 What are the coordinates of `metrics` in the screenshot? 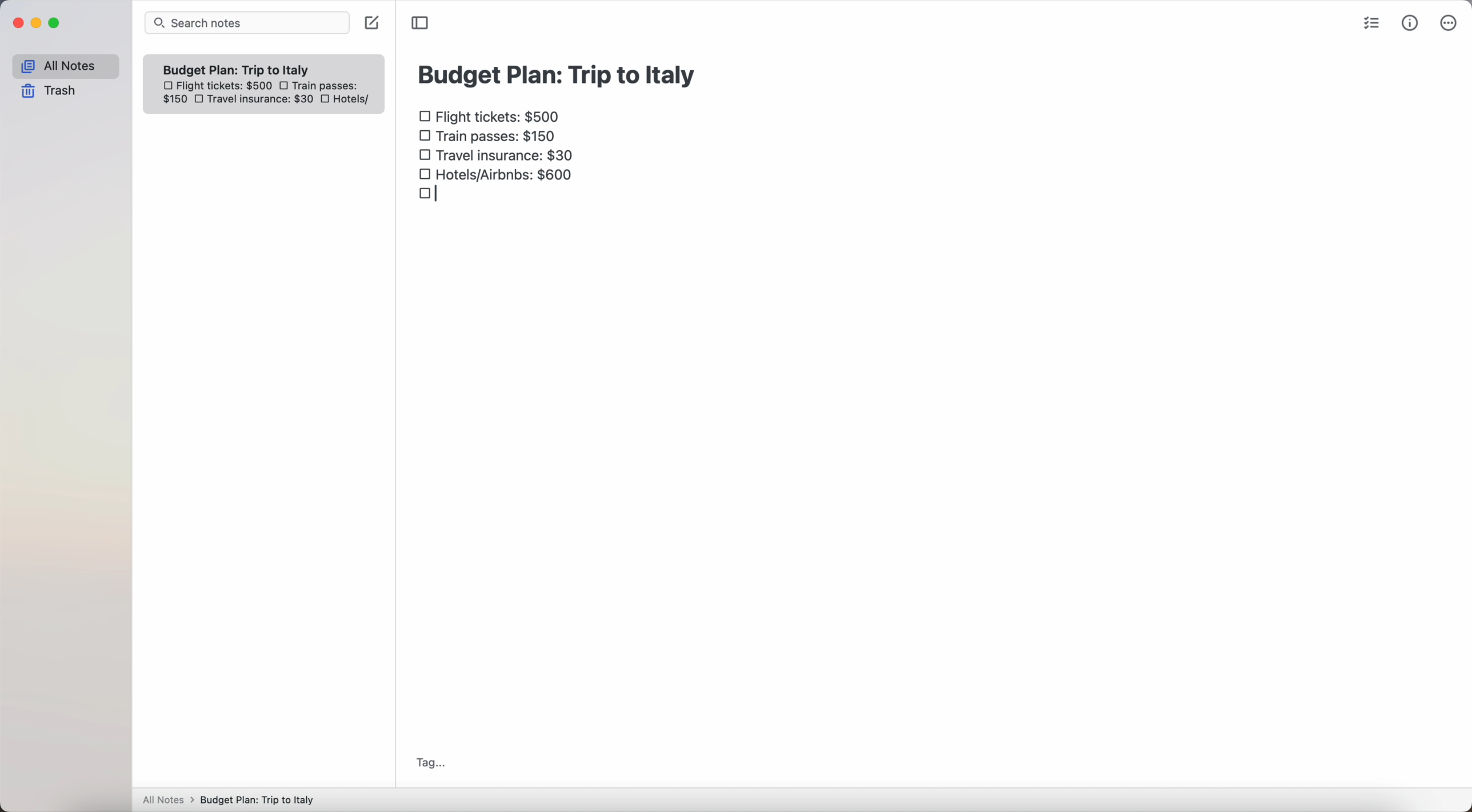 It's located at (1410, 25).